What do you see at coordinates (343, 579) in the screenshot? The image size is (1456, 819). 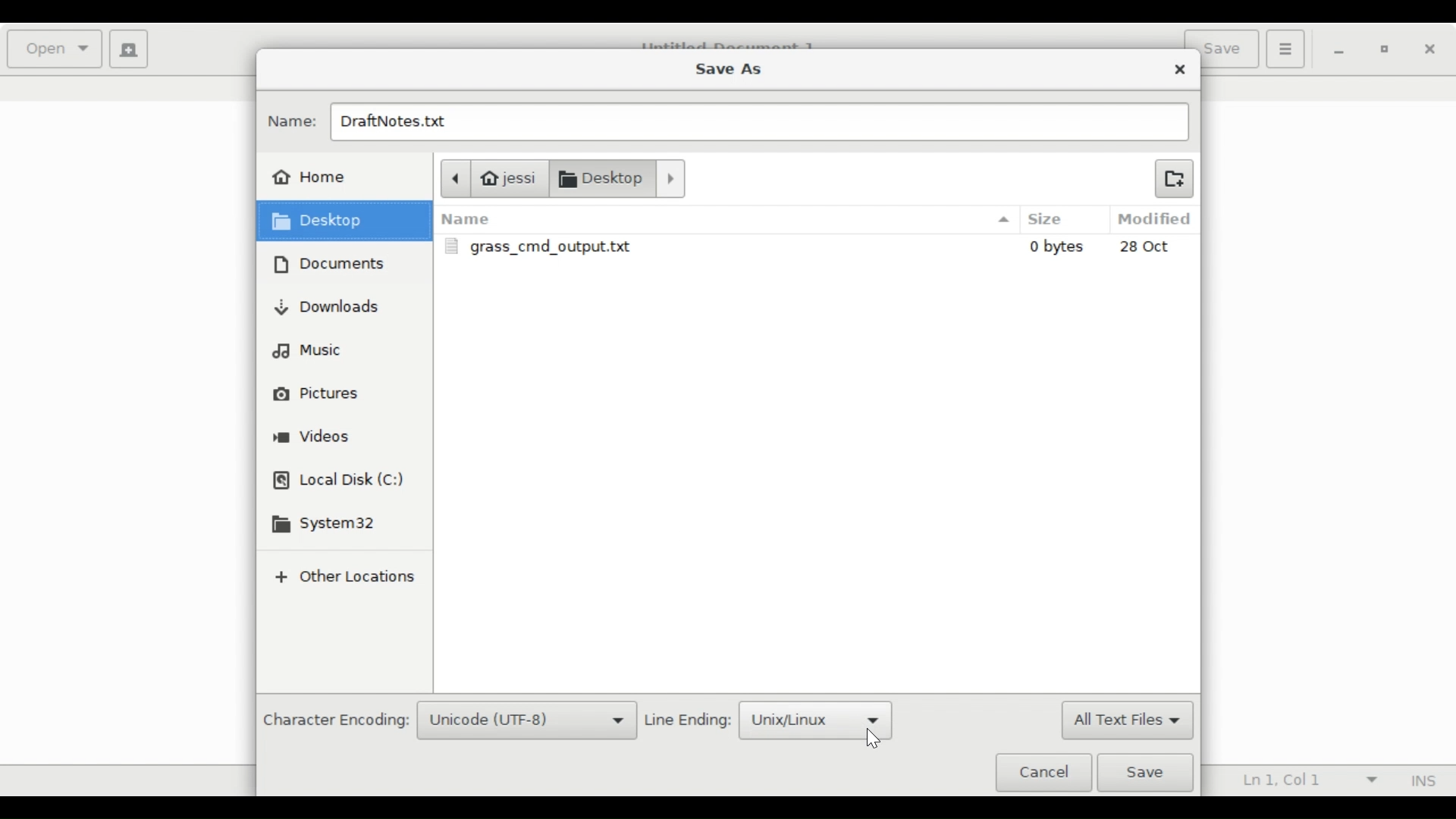 I see `Other locations` at bounding box center [343, 579].